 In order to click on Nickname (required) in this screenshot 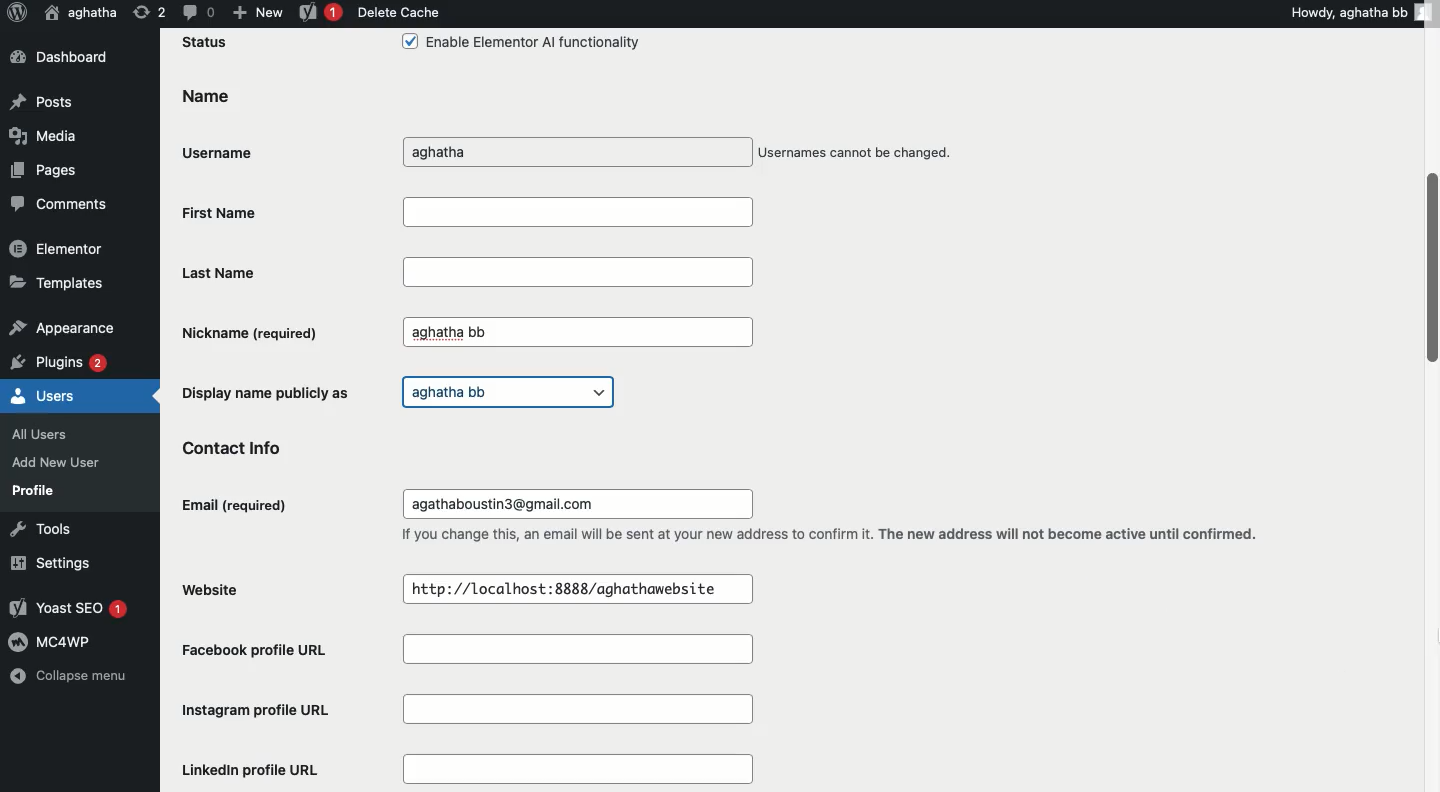, I will do `click(254, 332)`.